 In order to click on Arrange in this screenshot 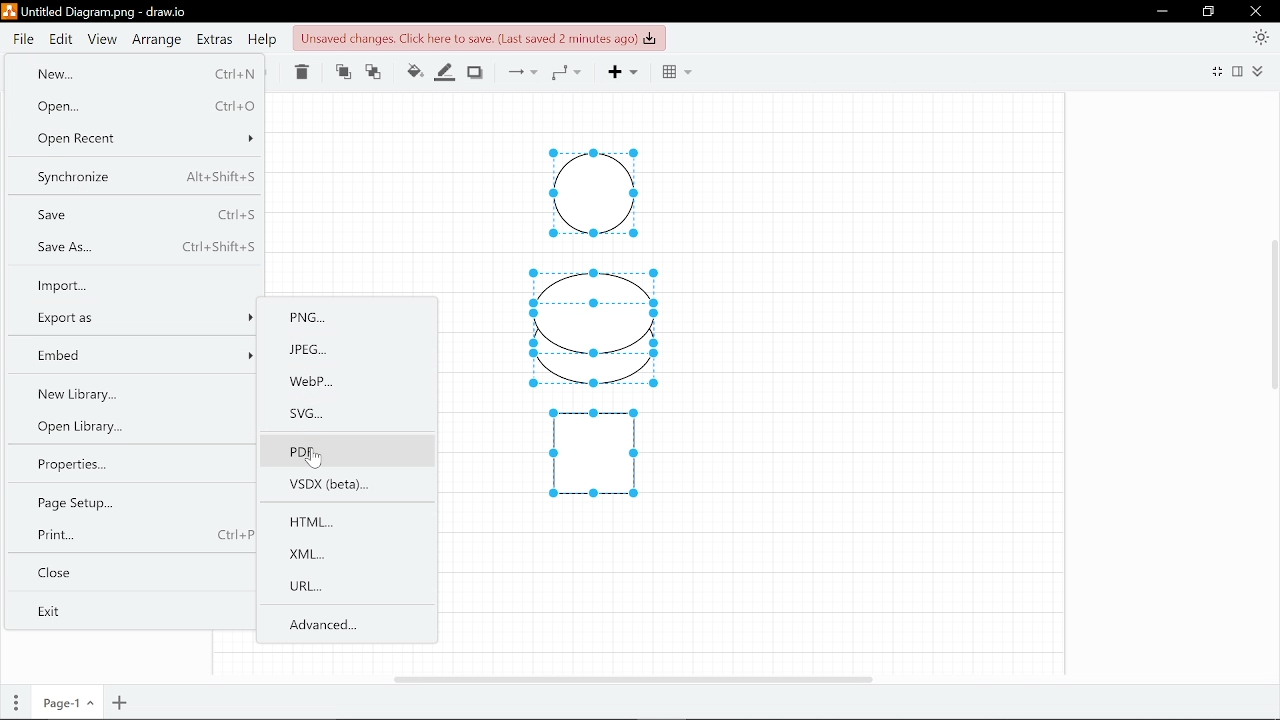, I will do `click(158, 40)`.